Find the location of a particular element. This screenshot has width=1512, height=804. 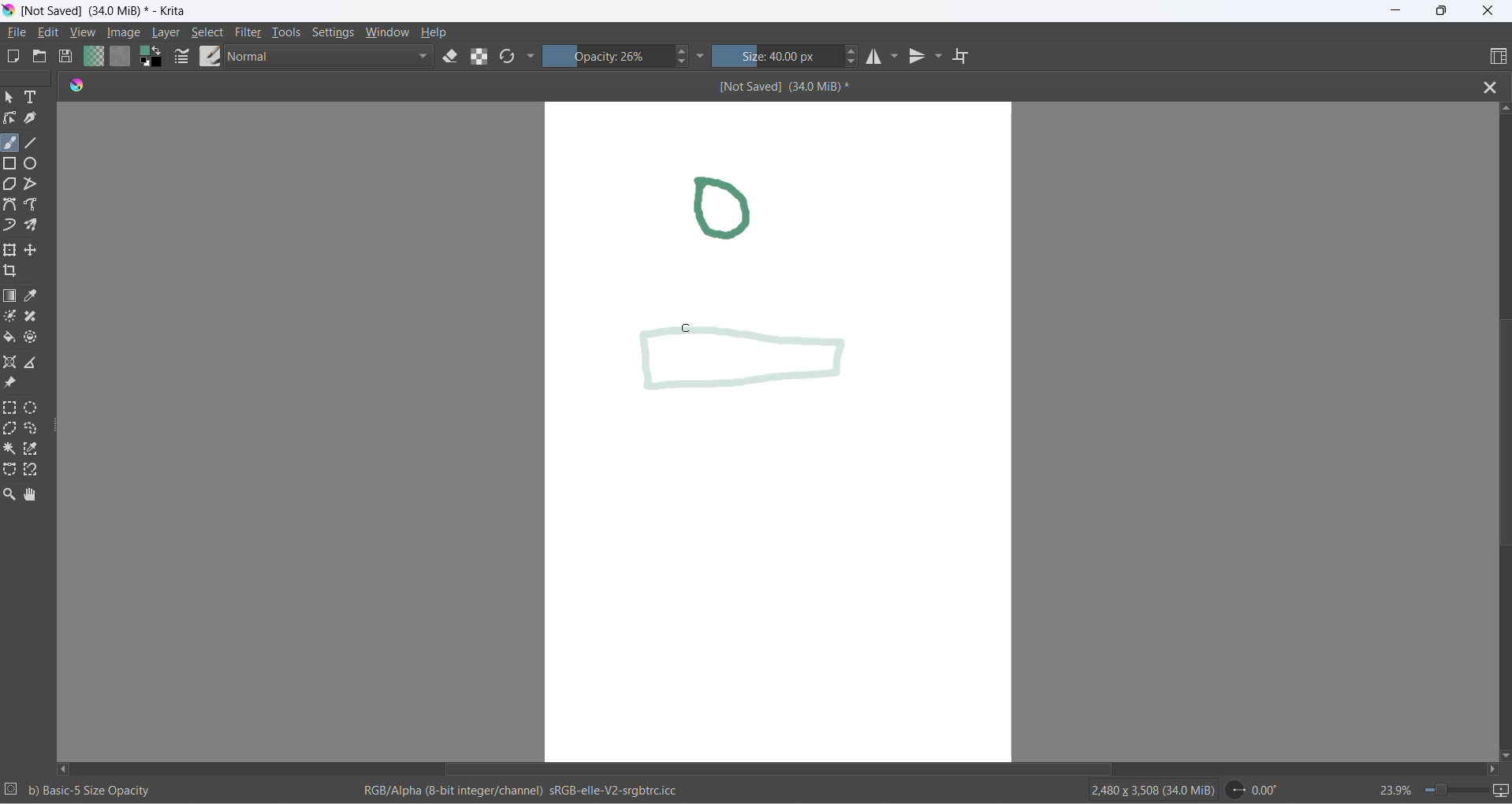

help is located at coordinates (437, 32).